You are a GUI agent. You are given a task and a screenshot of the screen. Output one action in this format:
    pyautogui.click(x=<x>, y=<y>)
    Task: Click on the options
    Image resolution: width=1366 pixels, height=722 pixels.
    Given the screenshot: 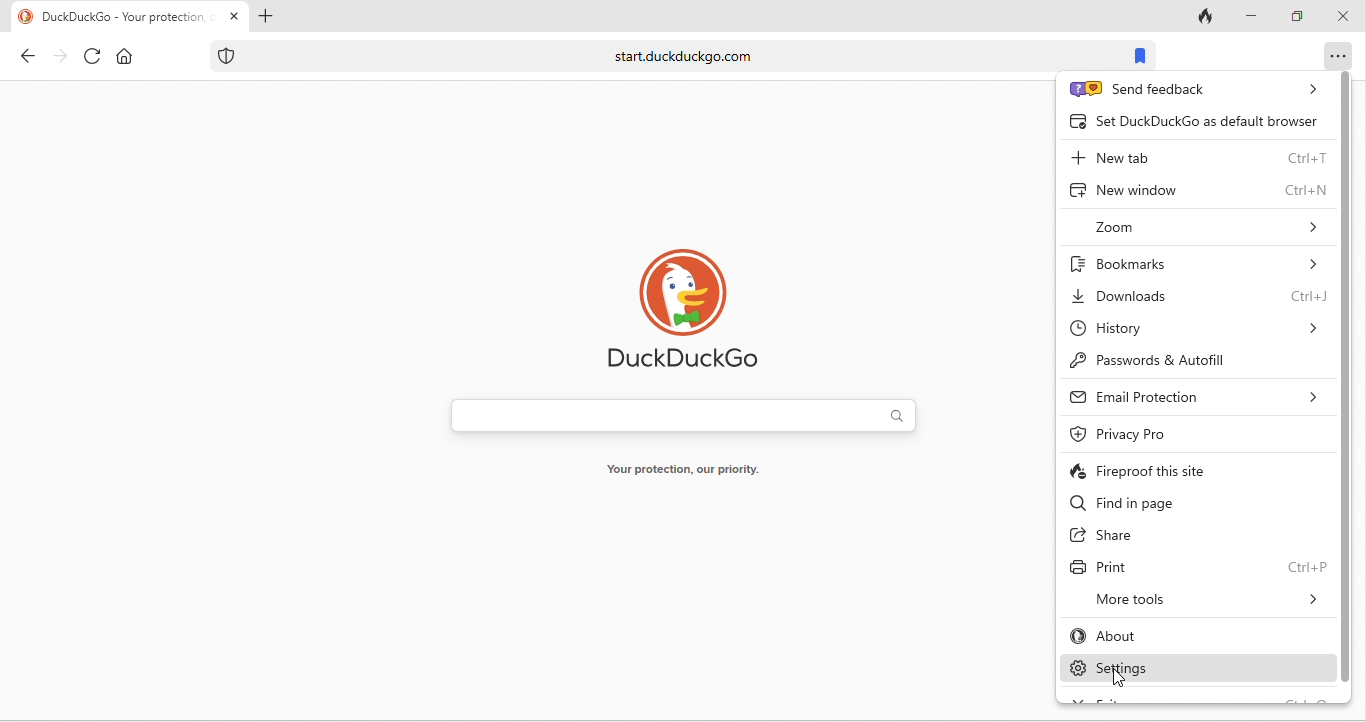 What is the action you would take?
    pyautogui.click(x=1334, y=53)
    